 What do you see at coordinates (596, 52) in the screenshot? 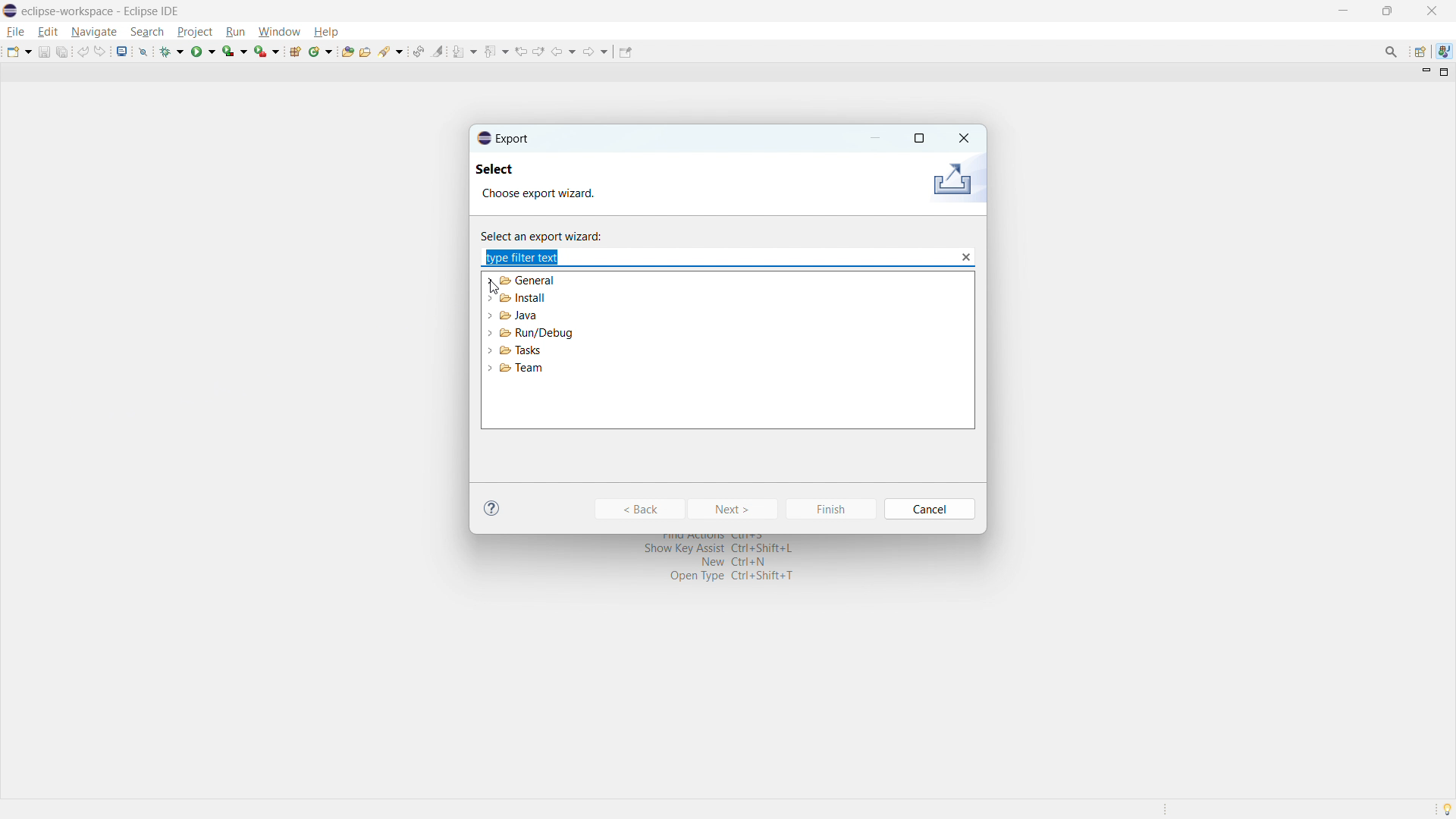
I see `forward` at bounding box center [596, 52].